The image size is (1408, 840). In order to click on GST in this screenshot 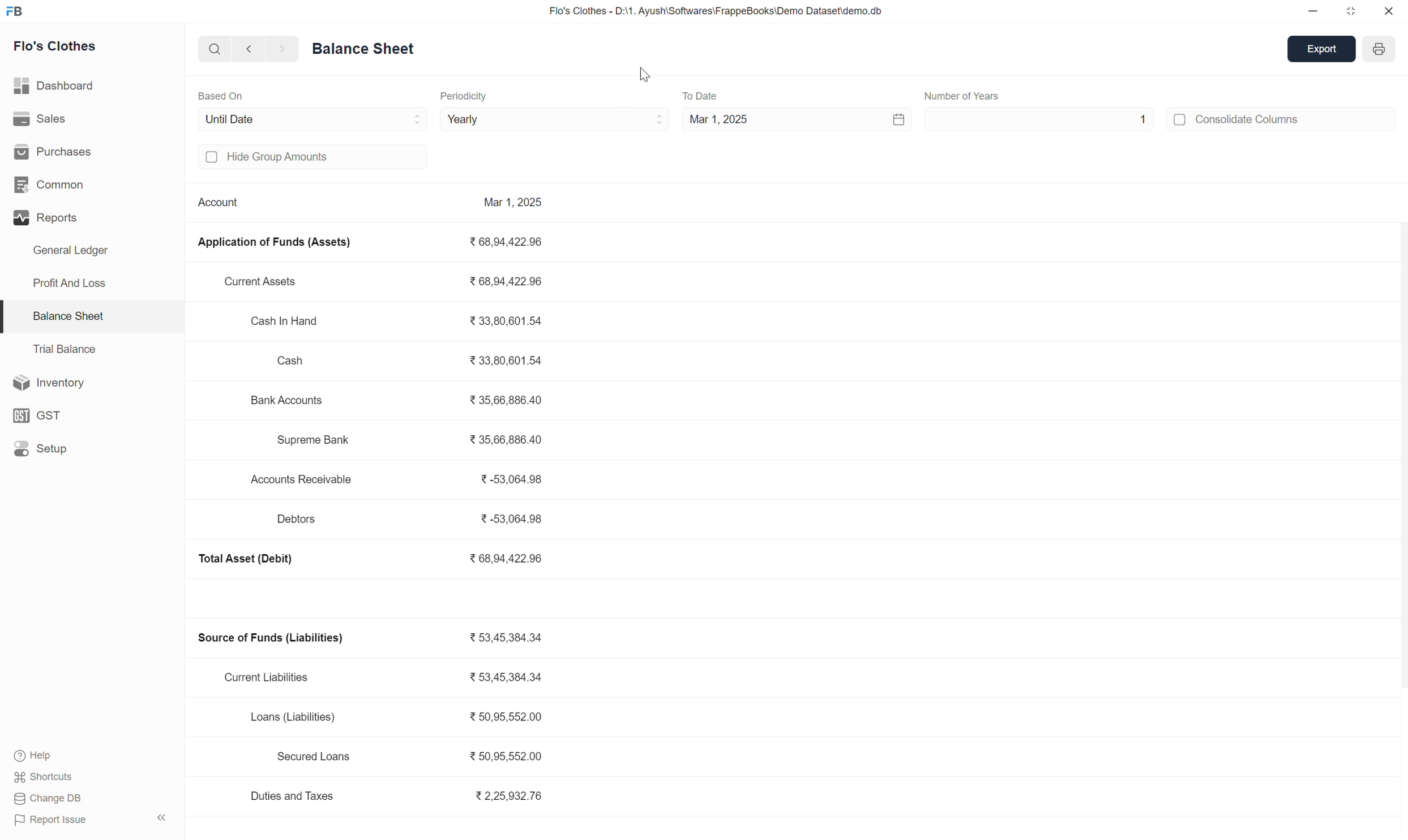, I will do `click(41, 413)`.